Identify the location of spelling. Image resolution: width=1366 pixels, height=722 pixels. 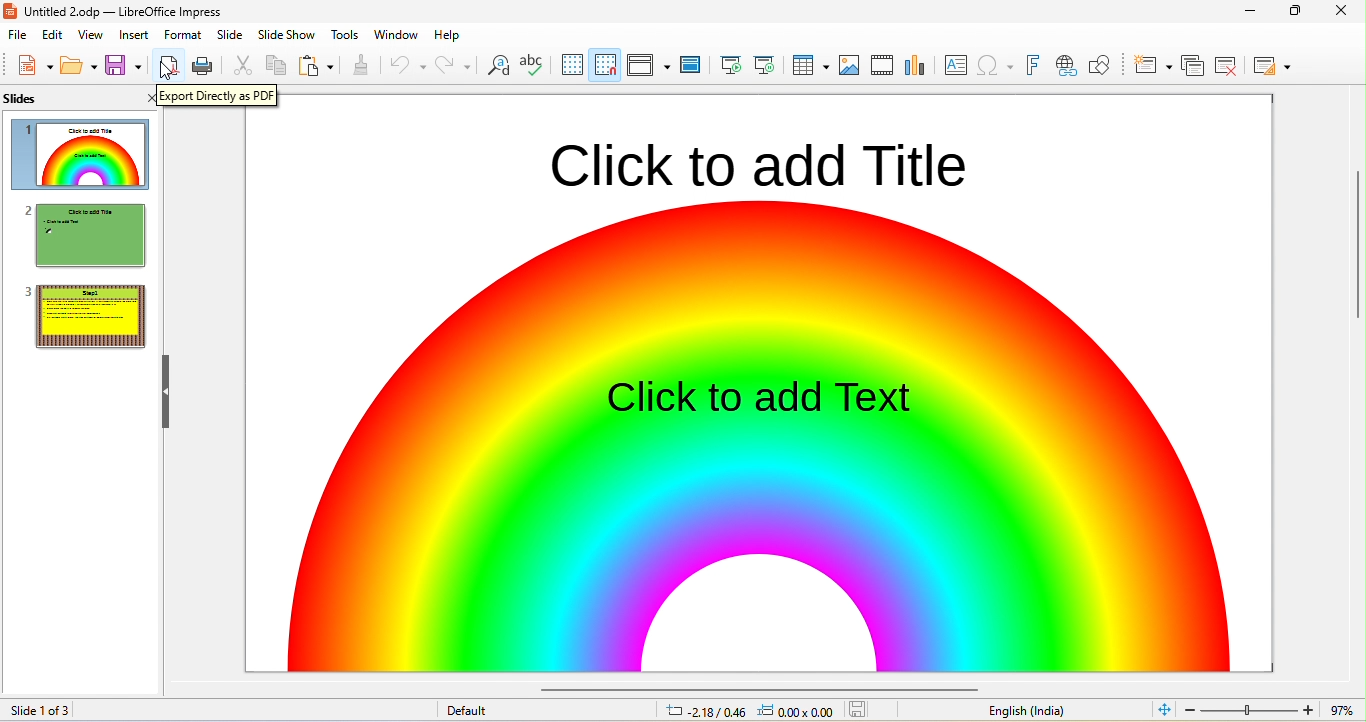
(532, 64).